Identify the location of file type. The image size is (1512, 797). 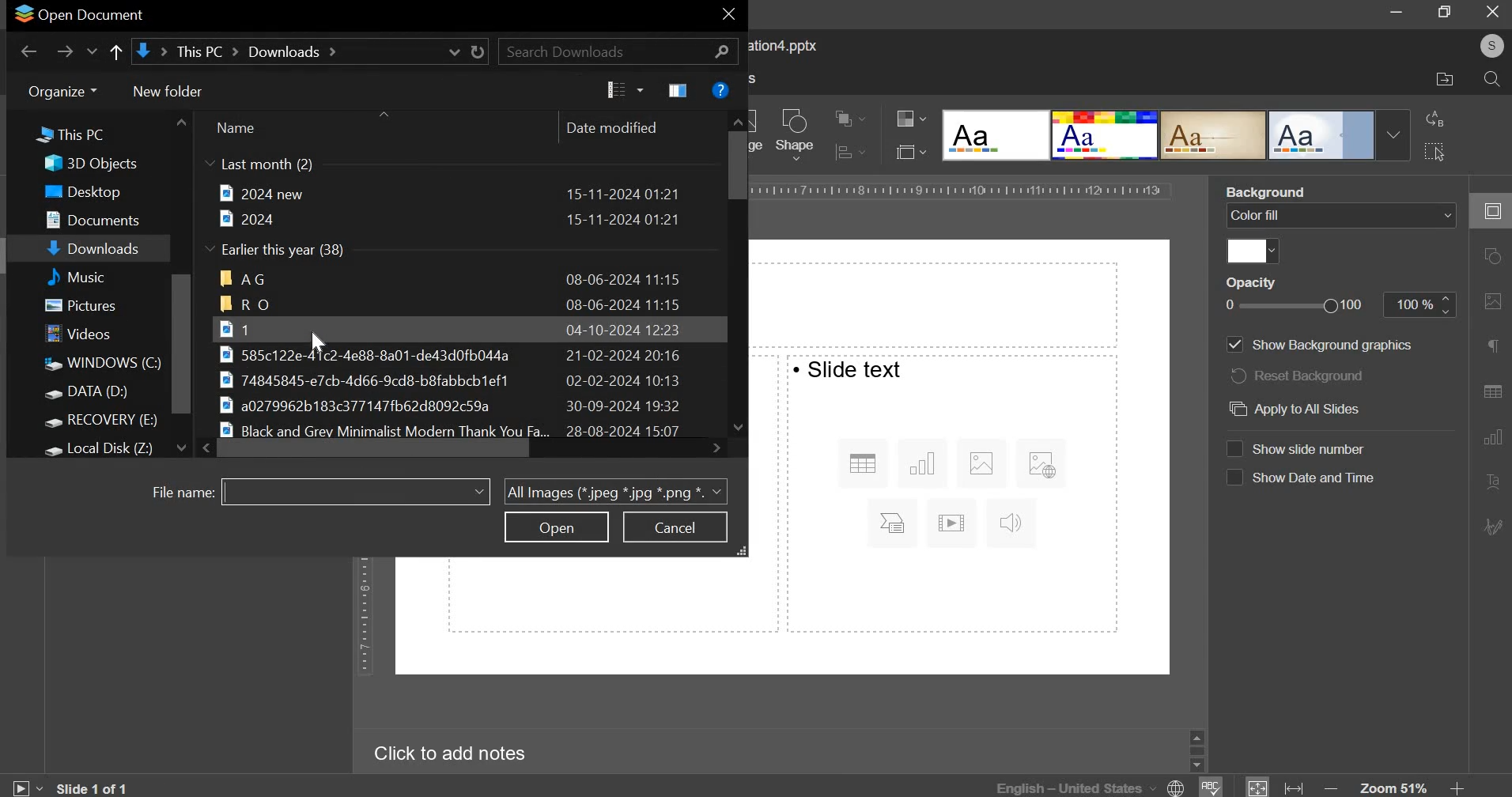
(615, 490).